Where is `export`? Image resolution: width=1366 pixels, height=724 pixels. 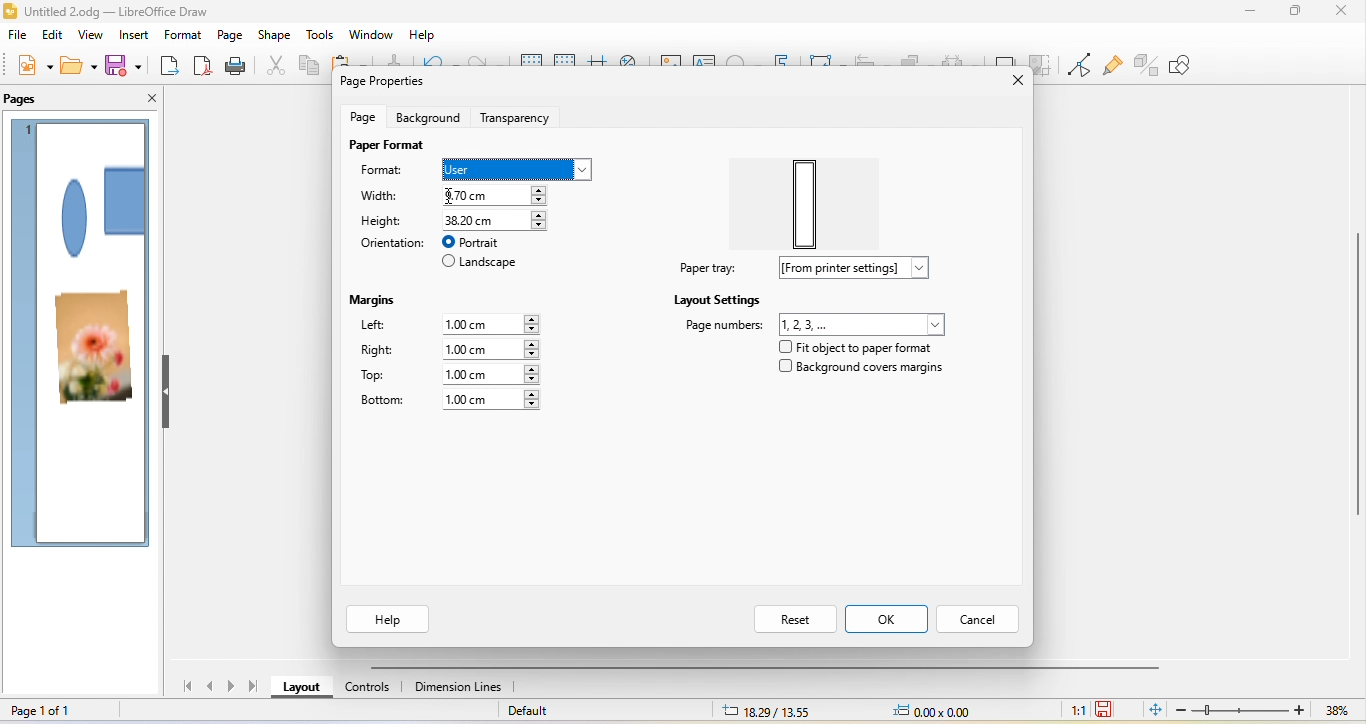 export is located at coordinates (170, 67).